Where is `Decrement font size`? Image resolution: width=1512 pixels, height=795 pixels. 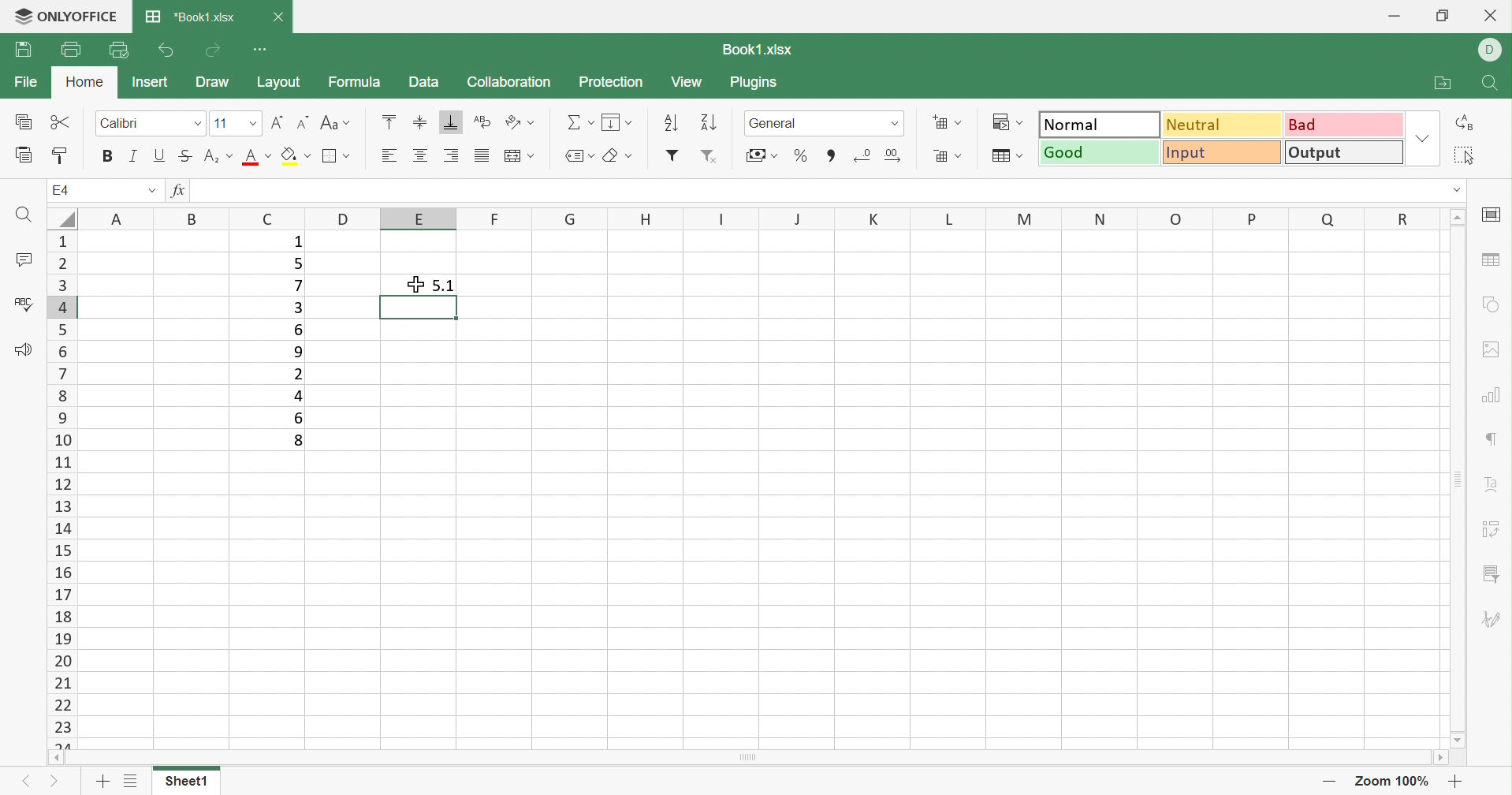 Decrement font size is located at coordinates (302, 123).